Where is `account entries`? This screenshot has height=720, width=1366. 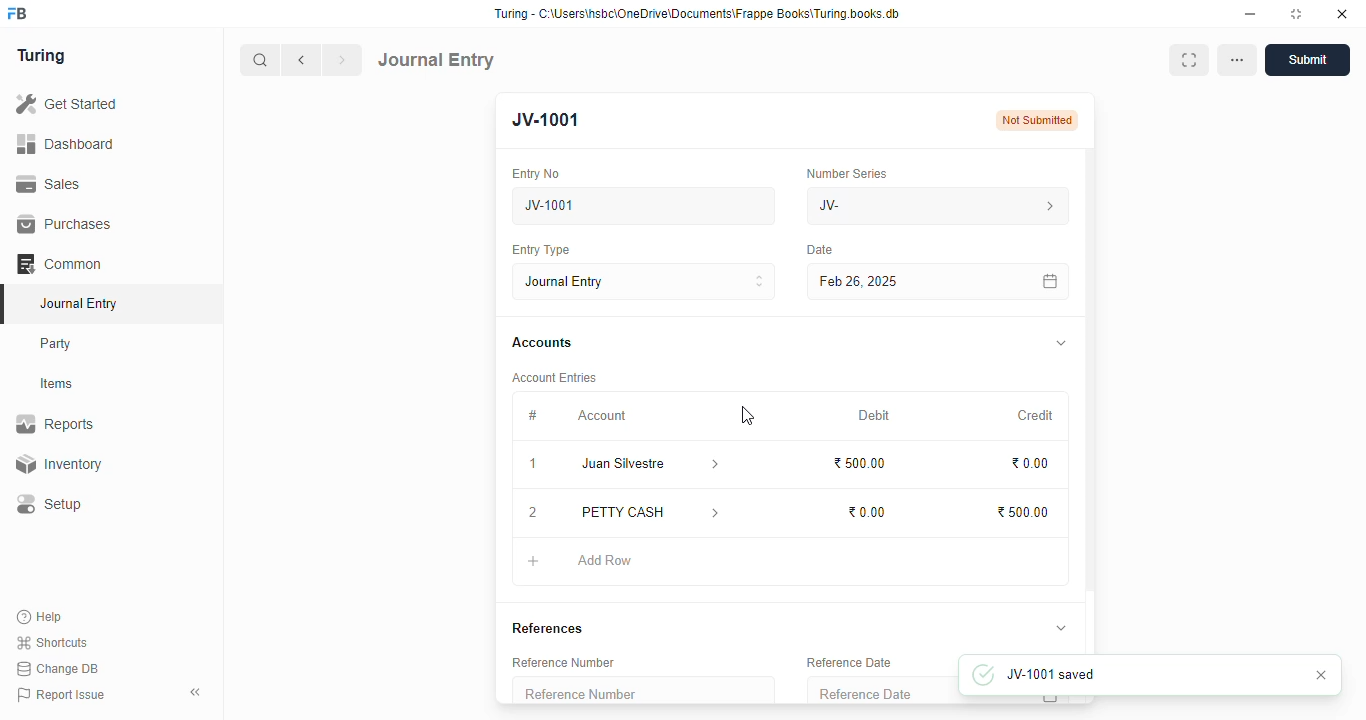
account entries is located at coordinates (554, 377).